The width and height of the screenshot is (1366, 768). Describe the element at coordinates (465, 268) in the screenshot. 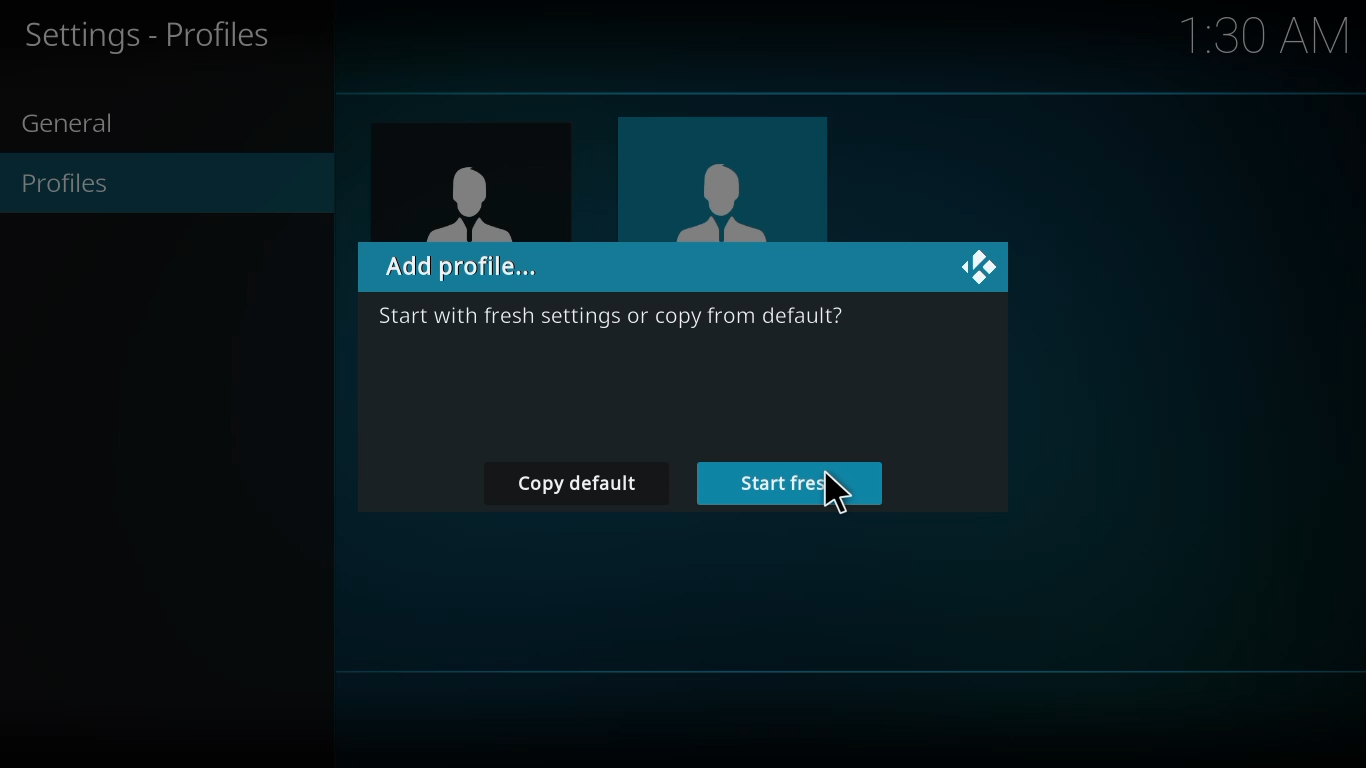

I see `add profile` at that location.